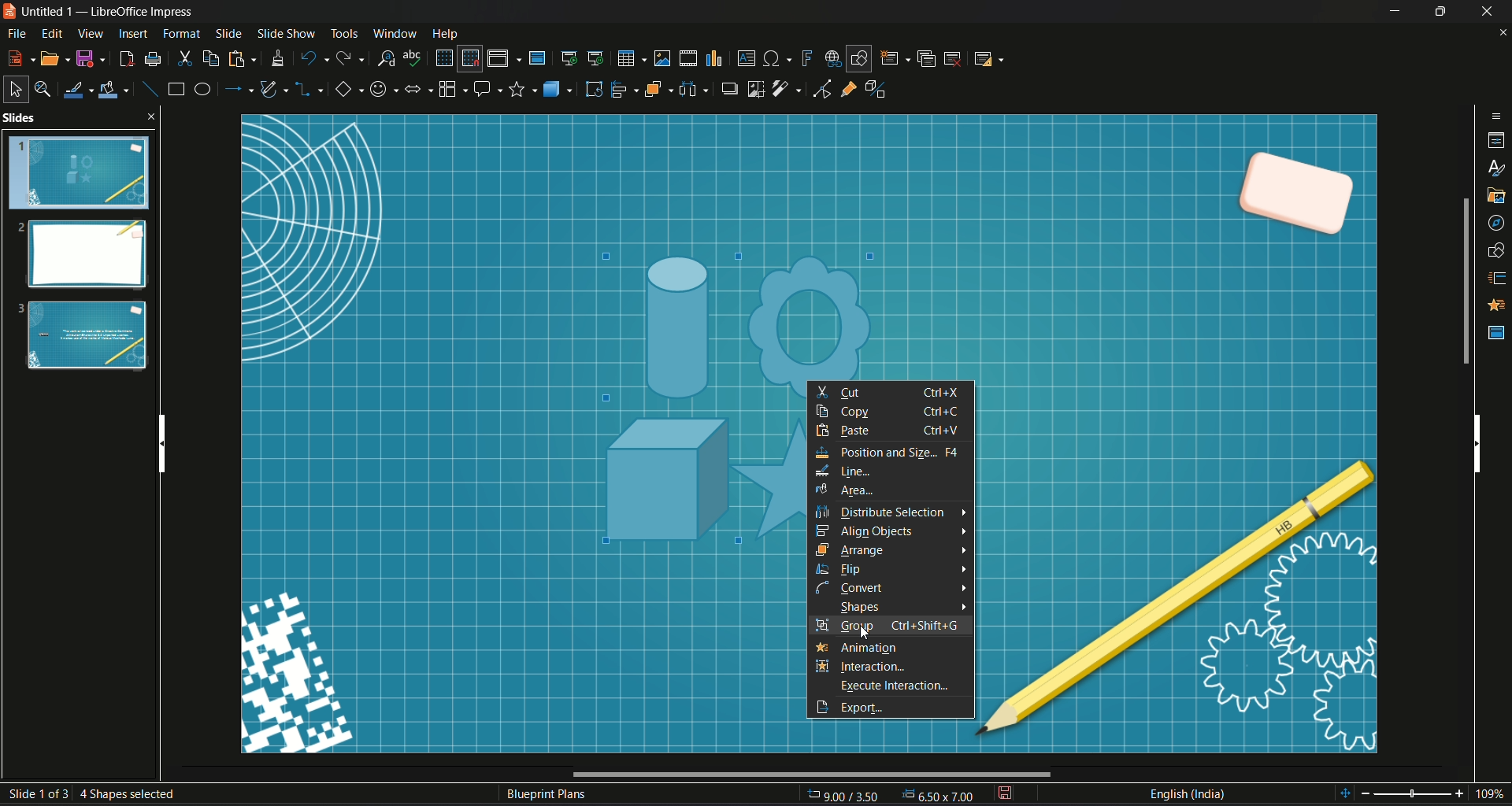 The height and width of the screenshot is (806, 1512). Describe the element at coordinates (630, 58) in the screenshot. I see `table` at that location.